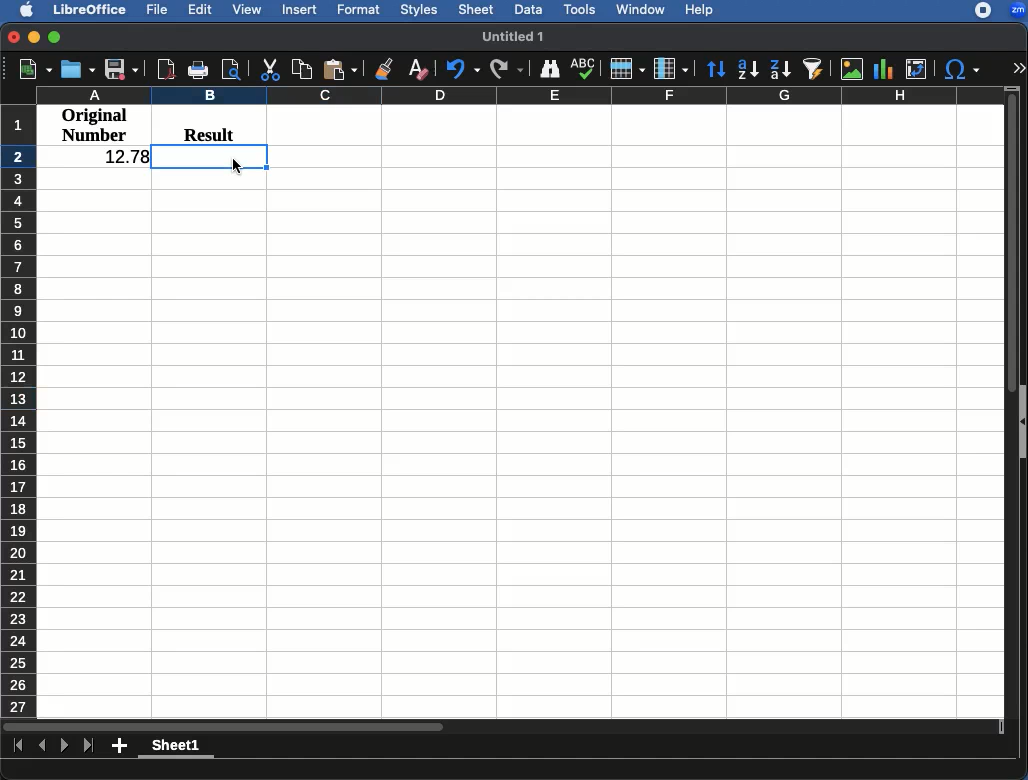  Describe the element at coordinates (232, 70) in the screenshot. I see `Print preview ` at that location.